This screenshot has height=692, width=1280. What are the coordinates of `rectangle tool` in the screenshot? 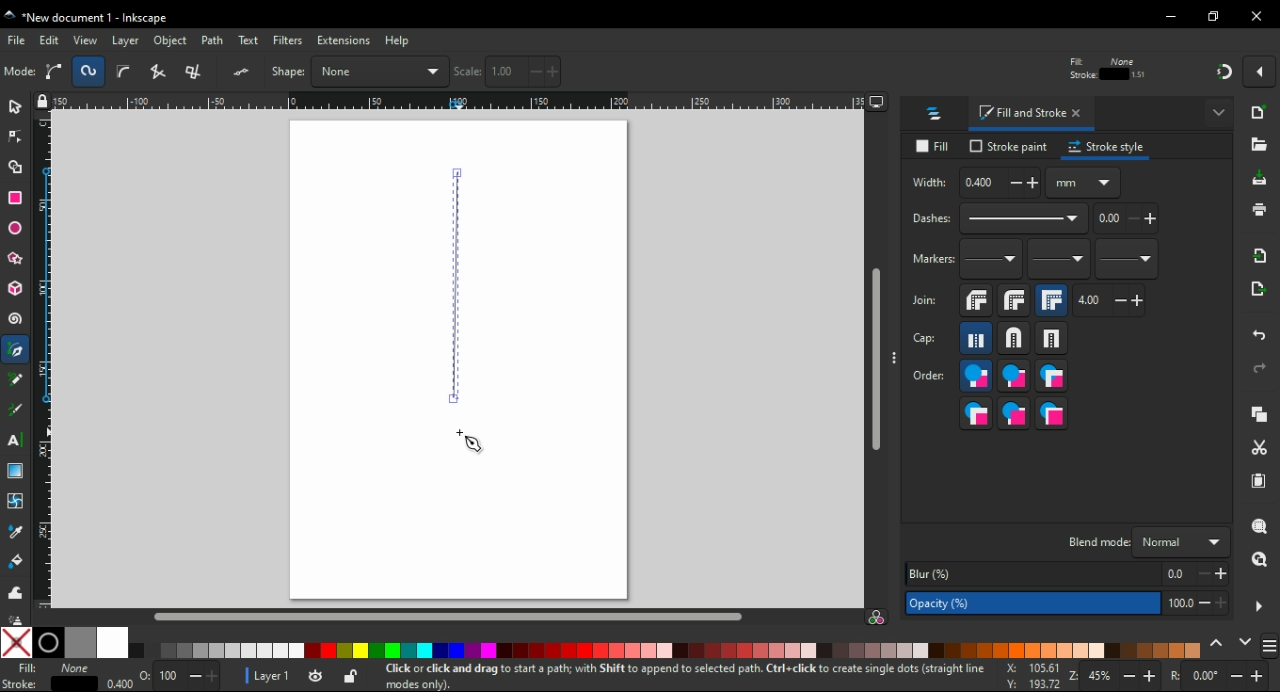 It's located at (16, 197).